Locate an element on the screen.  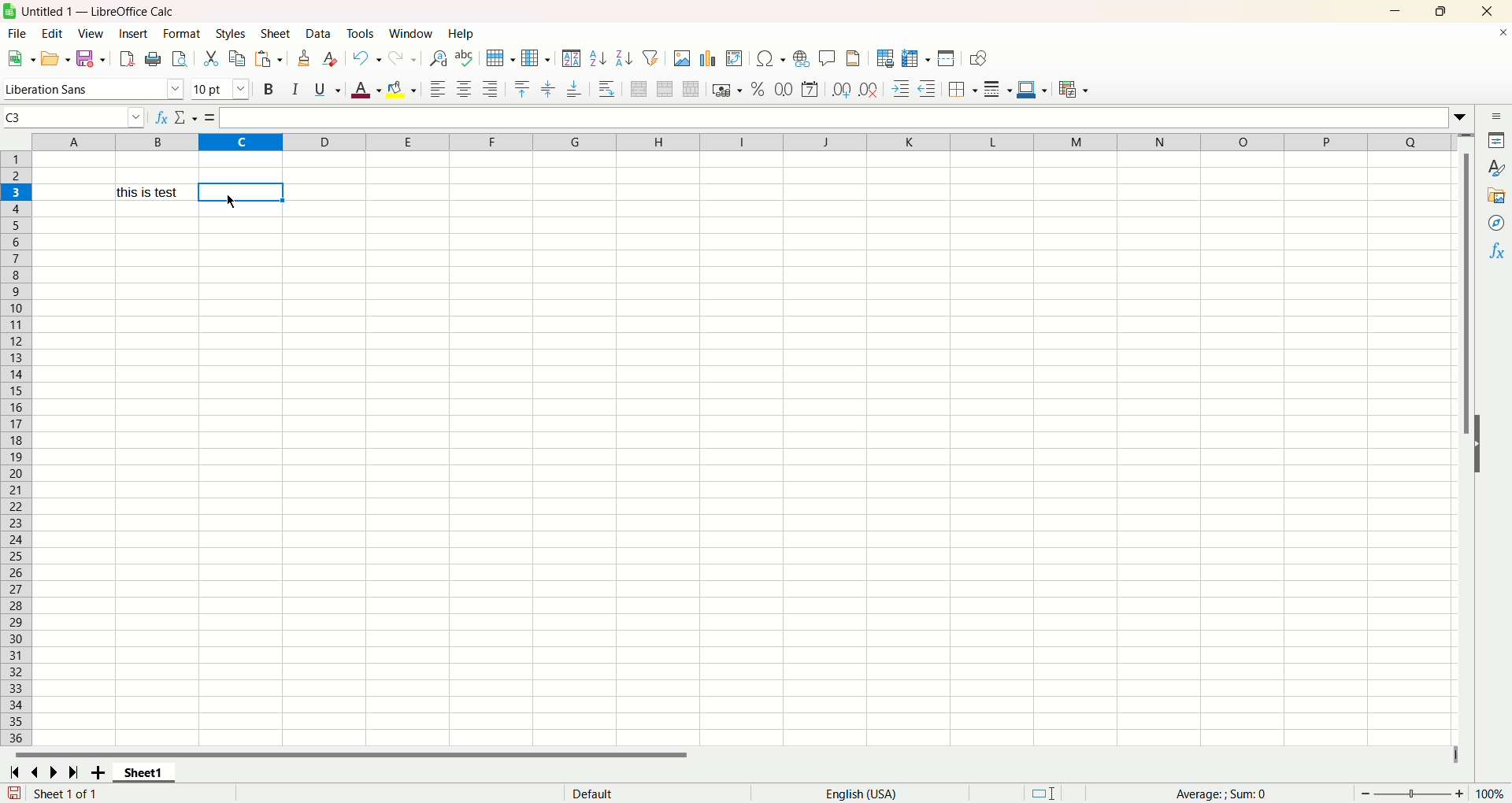
pivot table is located at coordinates (734, 57).